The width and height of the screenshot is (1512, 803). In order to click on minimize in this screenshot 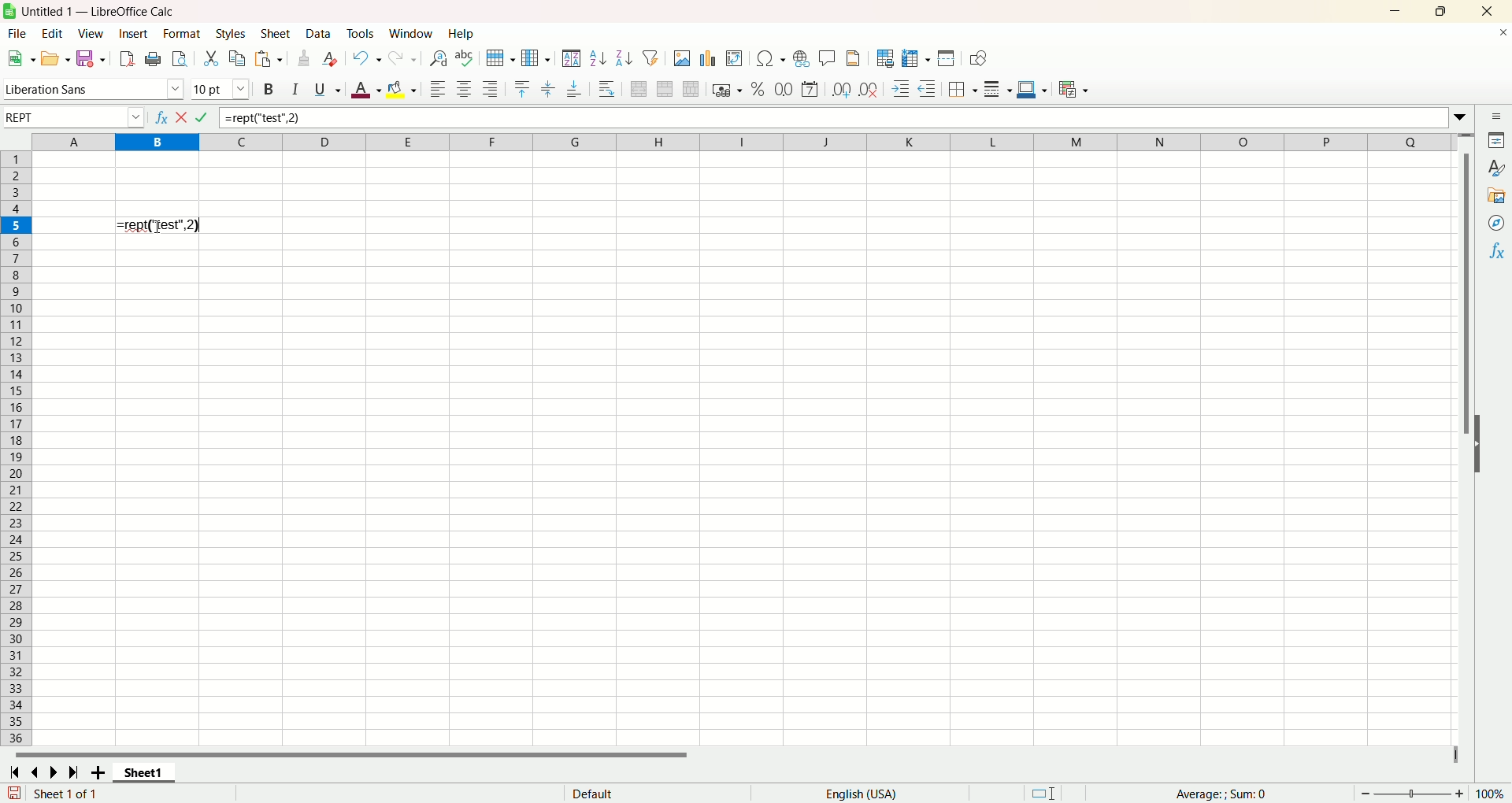, I will do `click(1400, 12)`.